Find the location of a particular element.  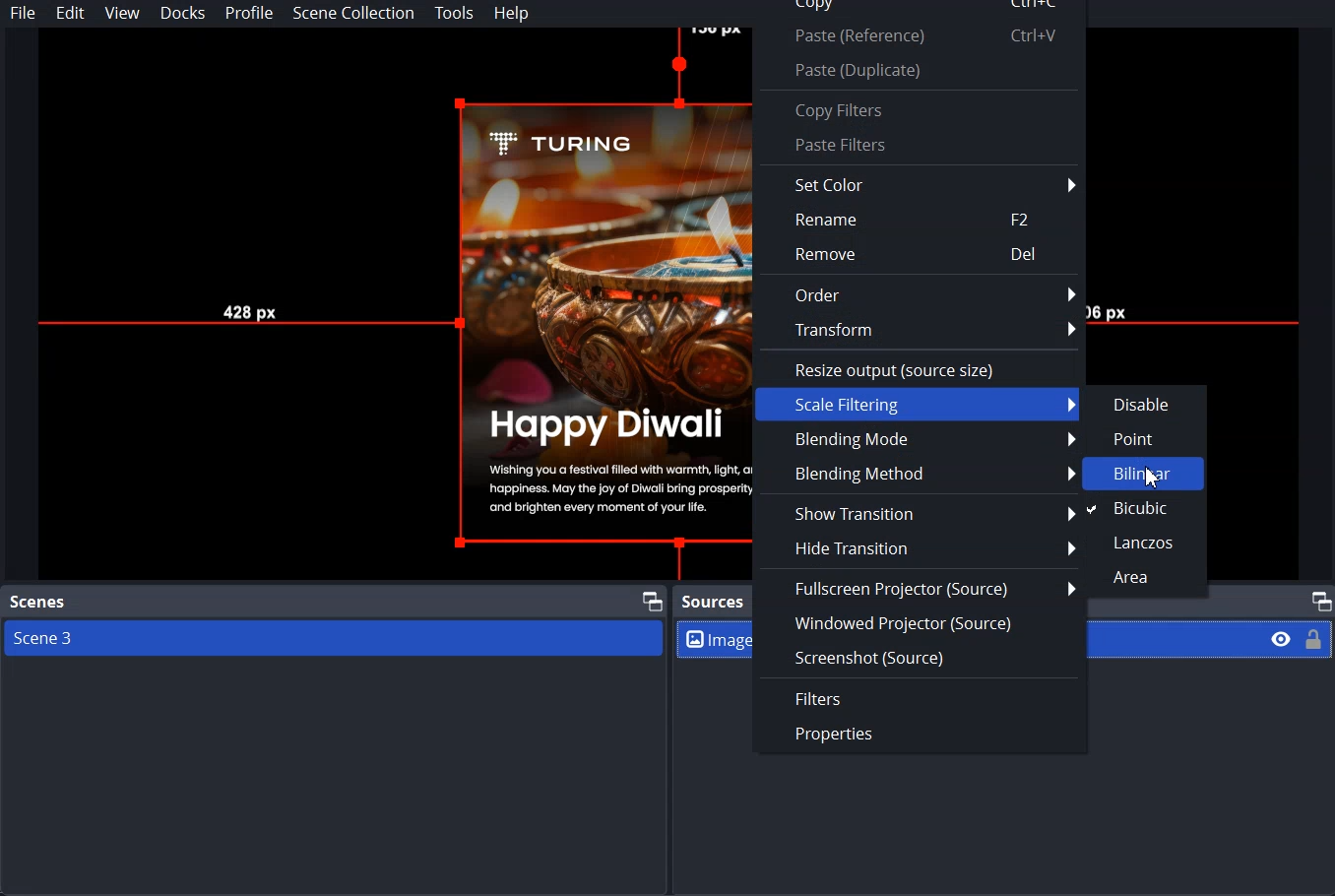

Edit is located at coordinates (70, 14).